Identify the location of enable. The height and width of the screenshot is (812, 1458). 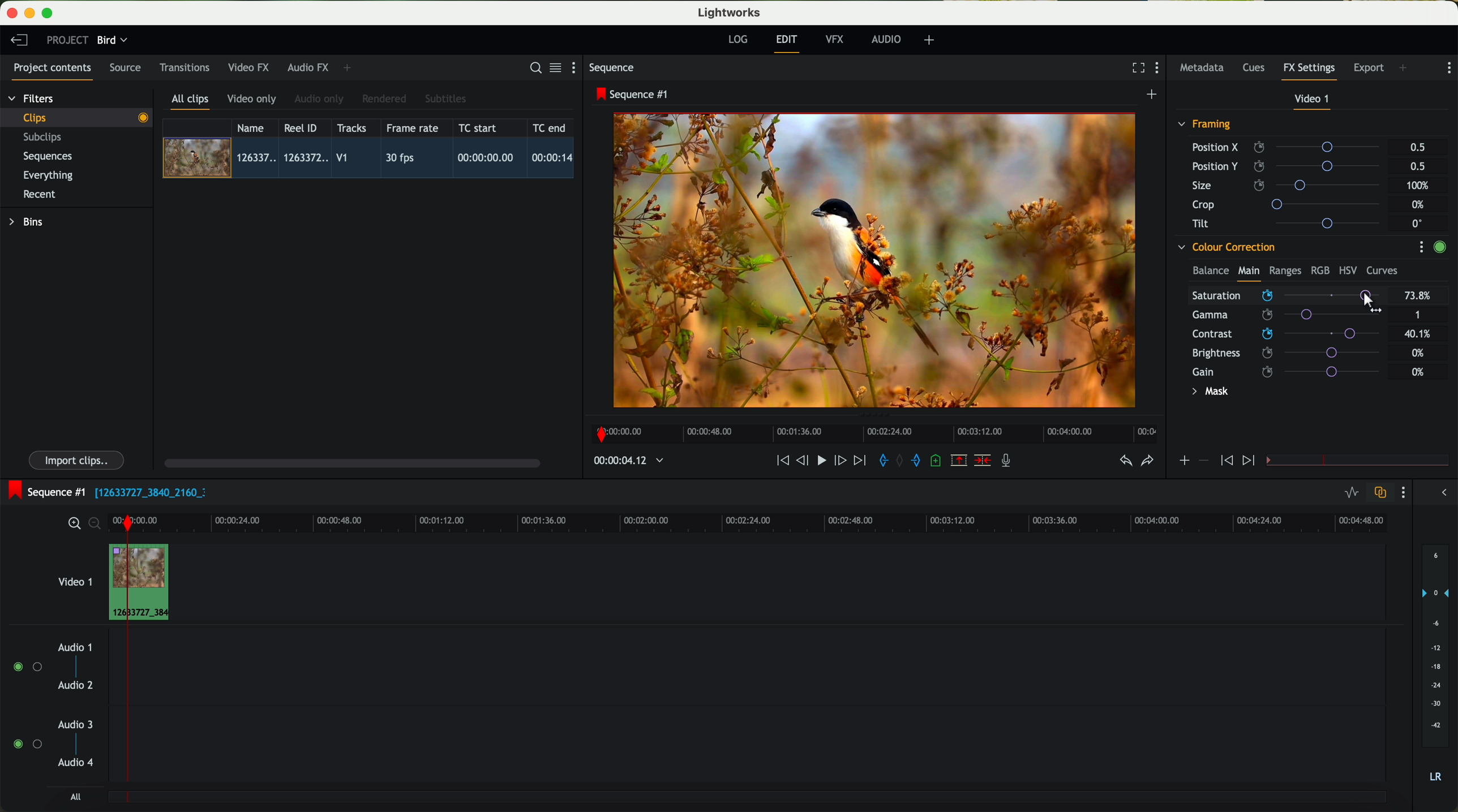
(1439, 248).